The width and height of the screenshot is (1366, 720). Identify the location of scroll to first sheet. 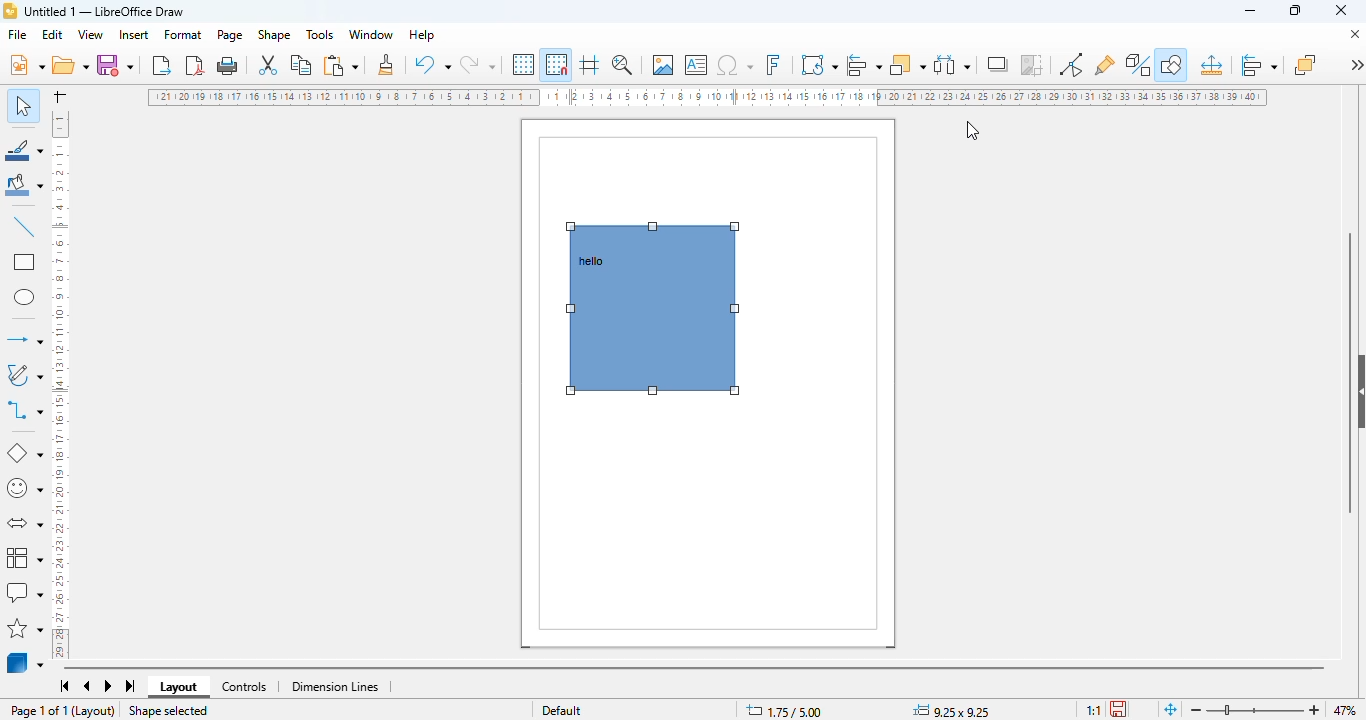
(65, 686).